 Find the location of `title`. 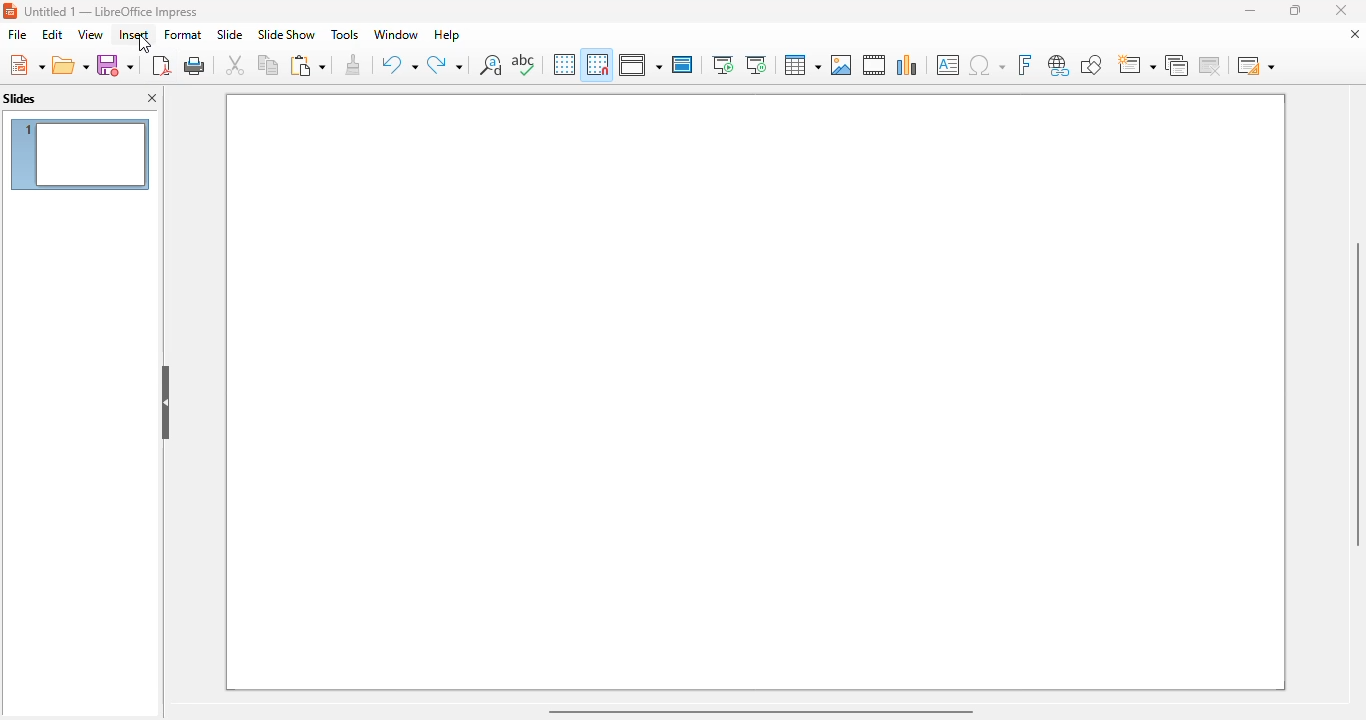

title is located at coordinates (112, 11).